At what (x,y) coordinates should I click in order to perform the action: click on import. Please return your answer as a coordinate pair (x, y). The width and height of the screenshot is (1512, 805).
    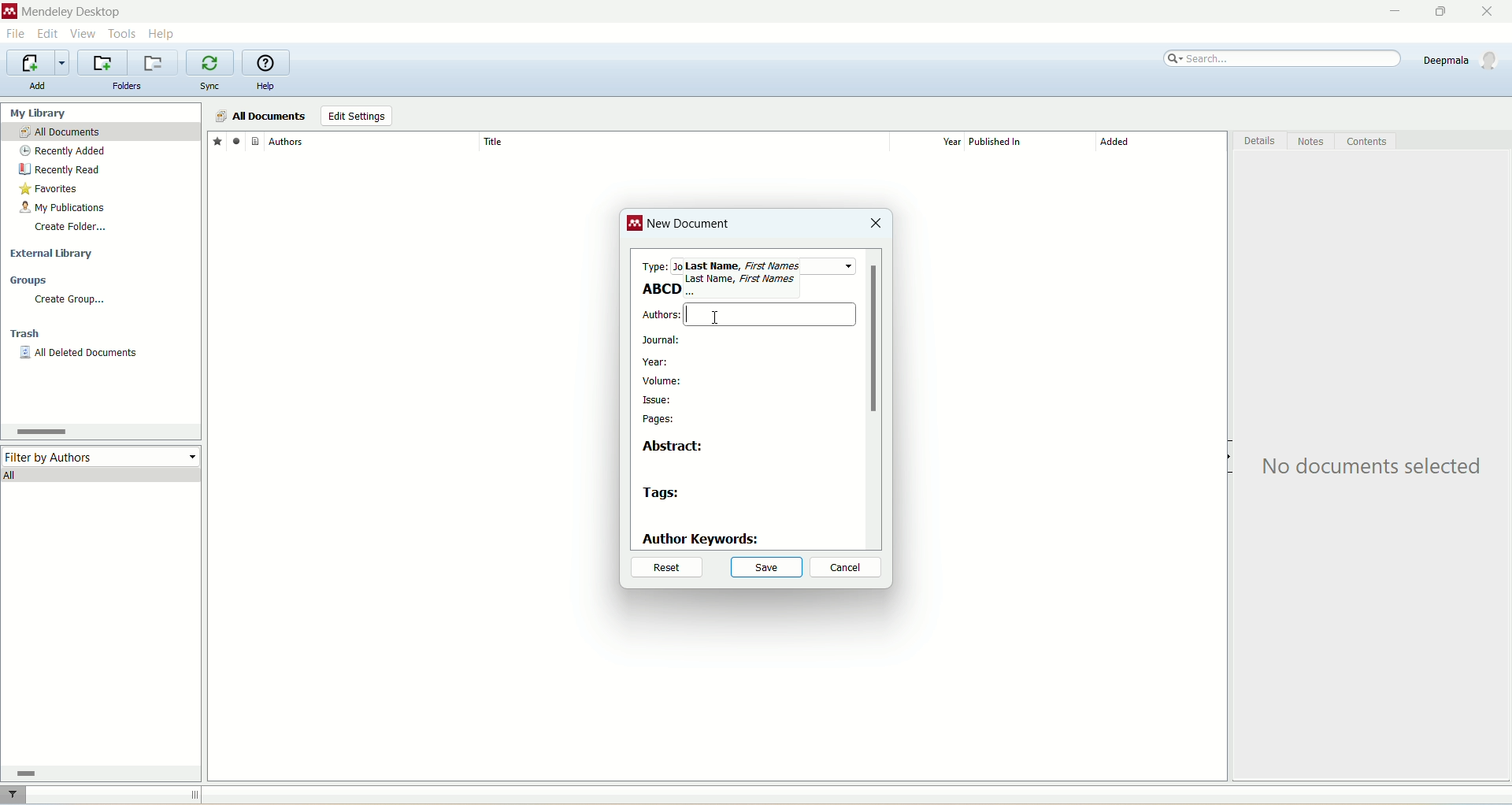
    Looking at the image, I should click on (35, 63).